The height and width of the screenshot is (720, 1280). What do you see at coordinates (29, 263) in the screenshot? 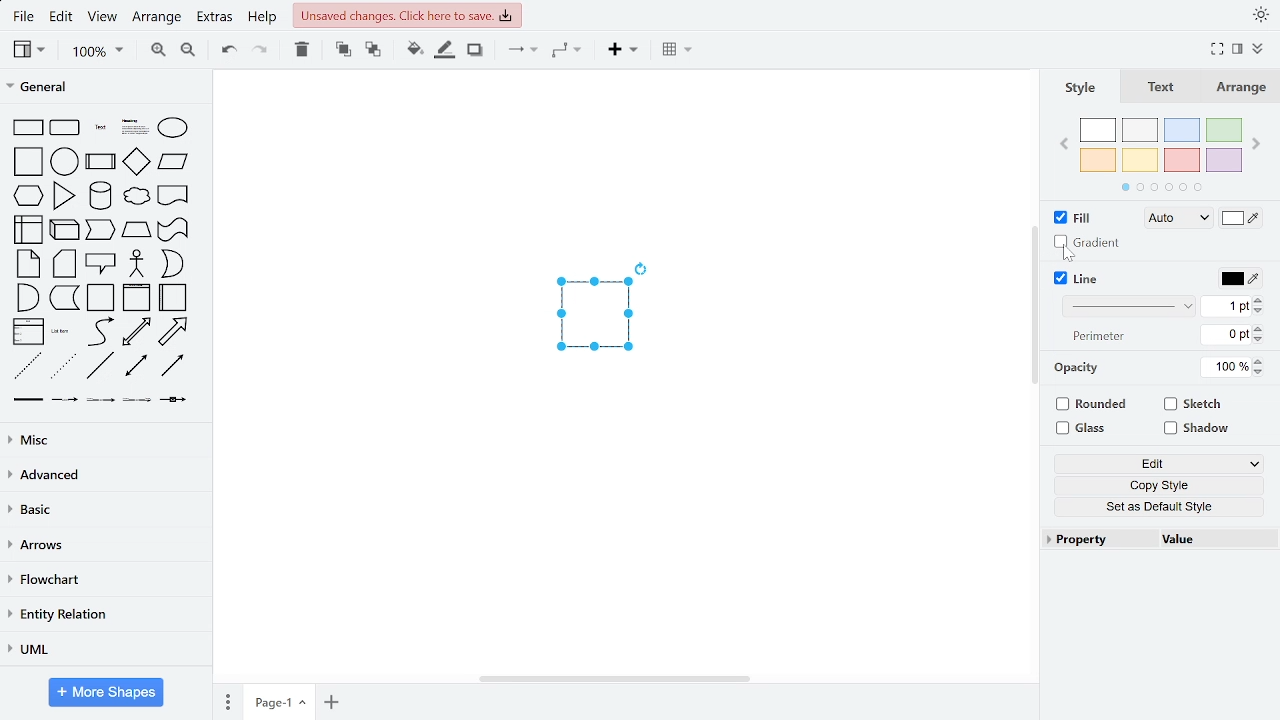
I see `general shapes` at bounding box center [29, 263].